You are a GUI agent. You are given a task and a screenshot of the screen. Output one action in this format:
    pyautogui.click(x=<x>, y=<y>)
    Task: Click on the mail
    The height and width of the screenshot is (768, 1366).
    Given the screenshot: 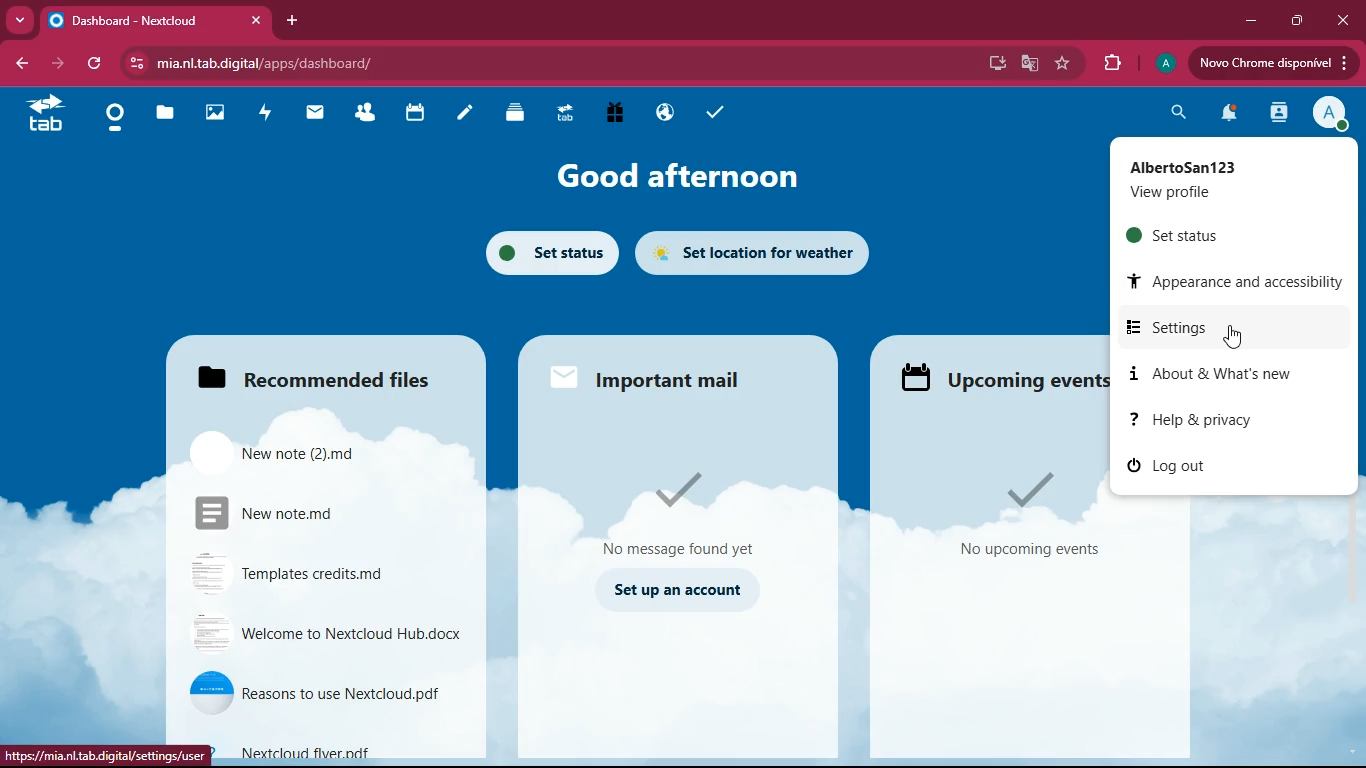 What is the action you would take?
    pyautogui.click(x=657, y=377)
    